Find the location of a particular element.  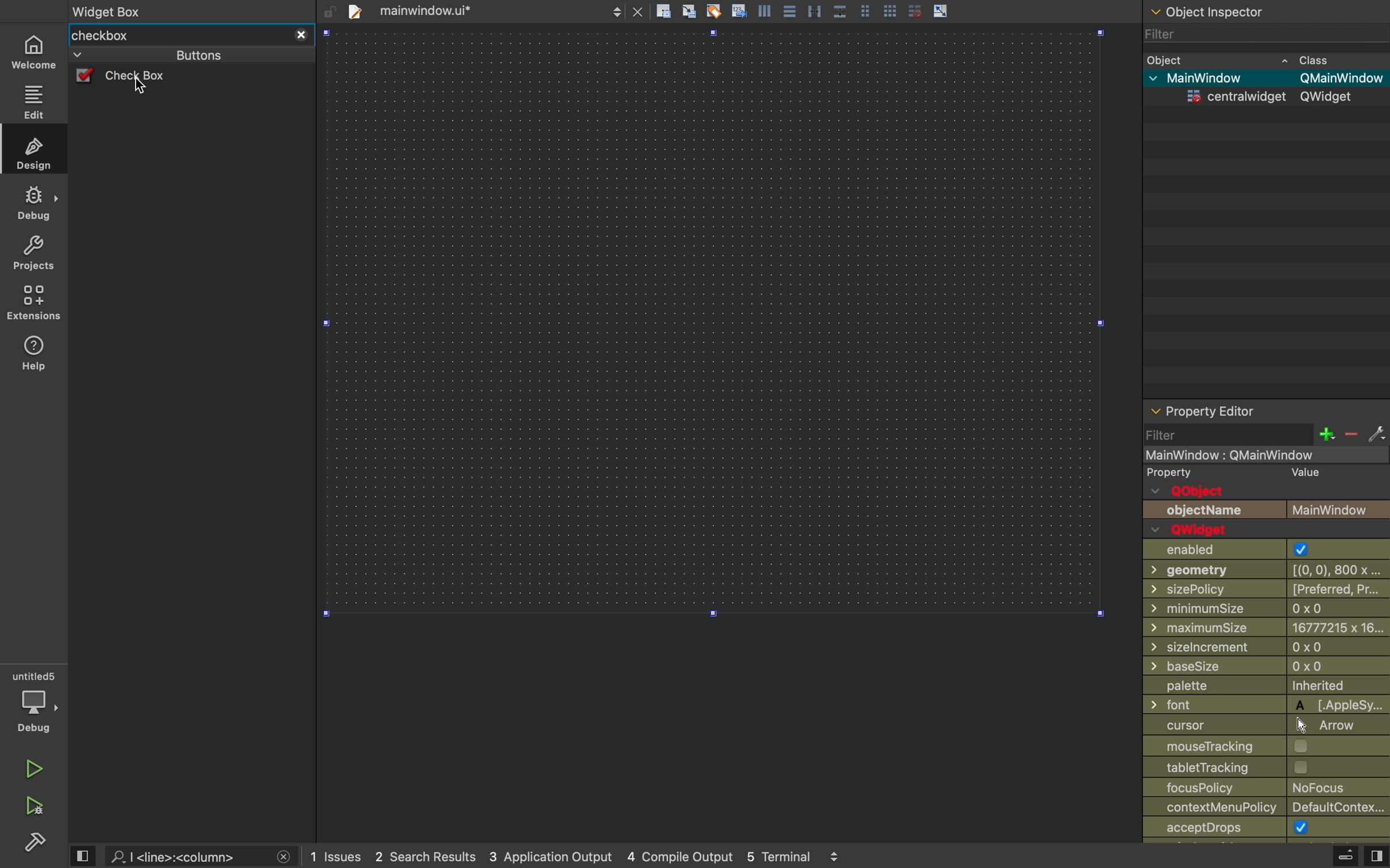

mainwindow is located at coordinates (1250, 456).